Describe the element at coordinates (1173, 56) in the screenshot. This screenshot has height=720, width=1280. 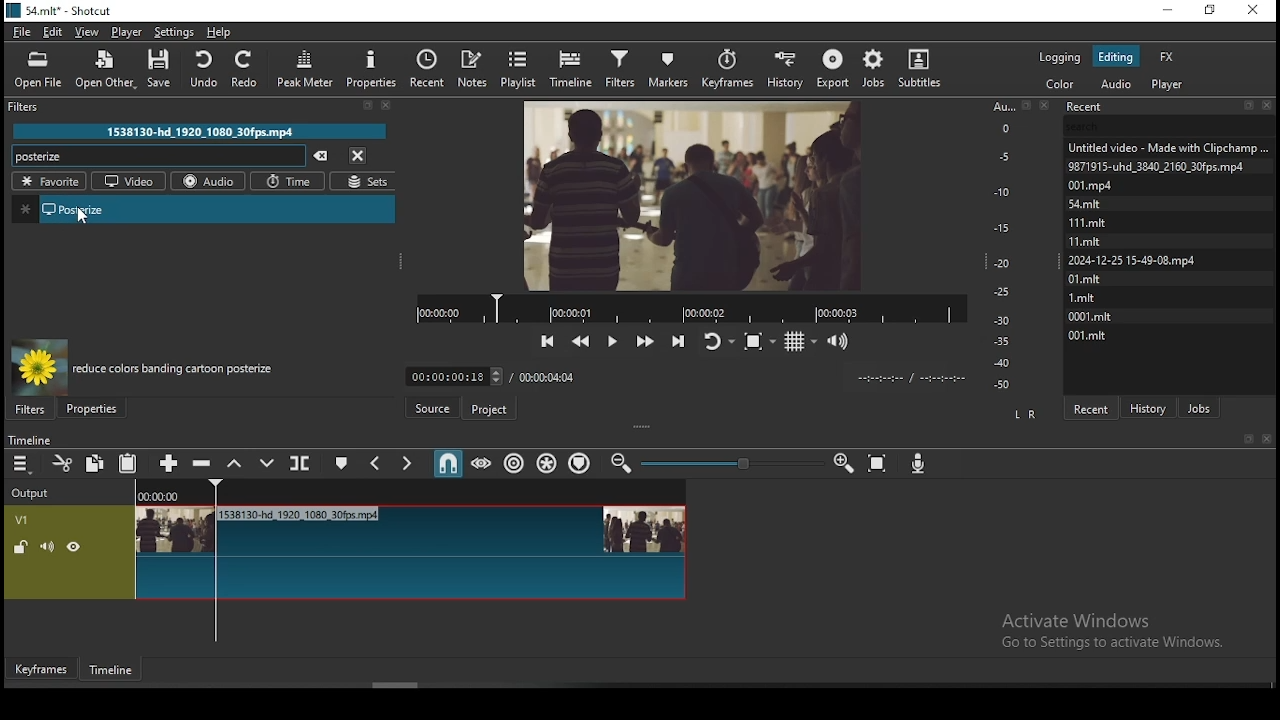
I see `fx` at that location.